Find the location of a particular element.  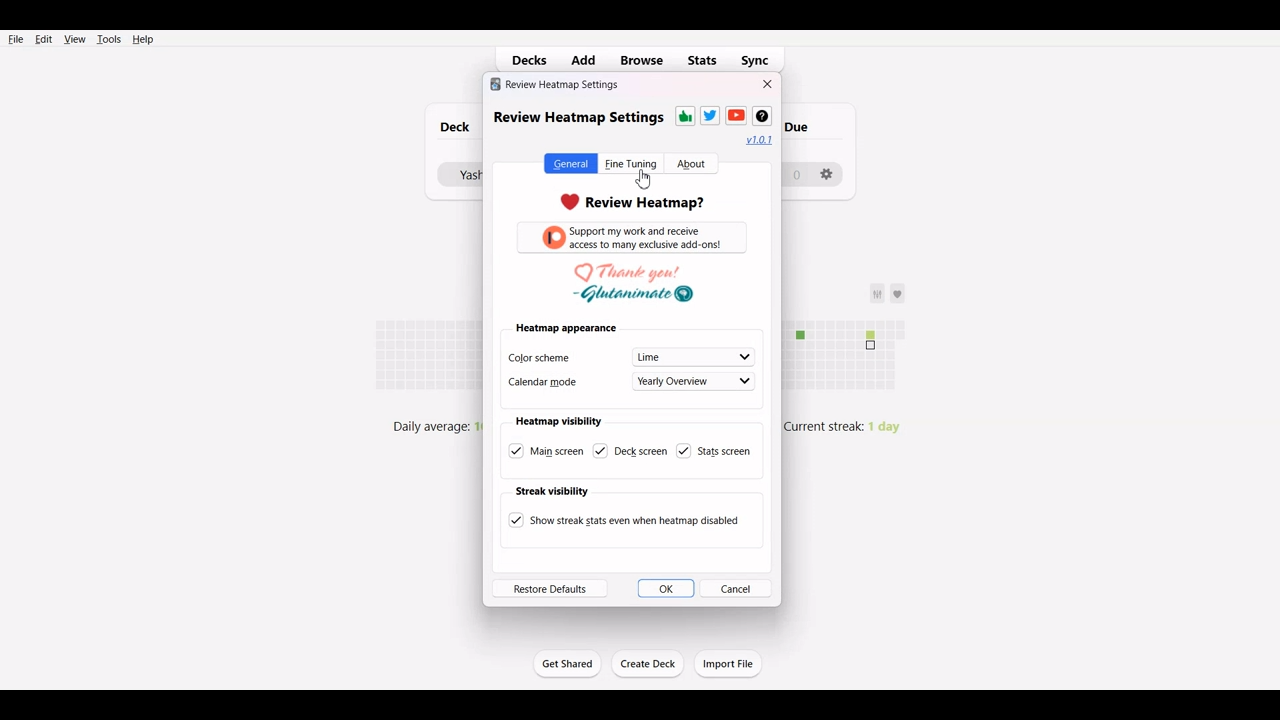

Tools is located at coordinates (108, 39).